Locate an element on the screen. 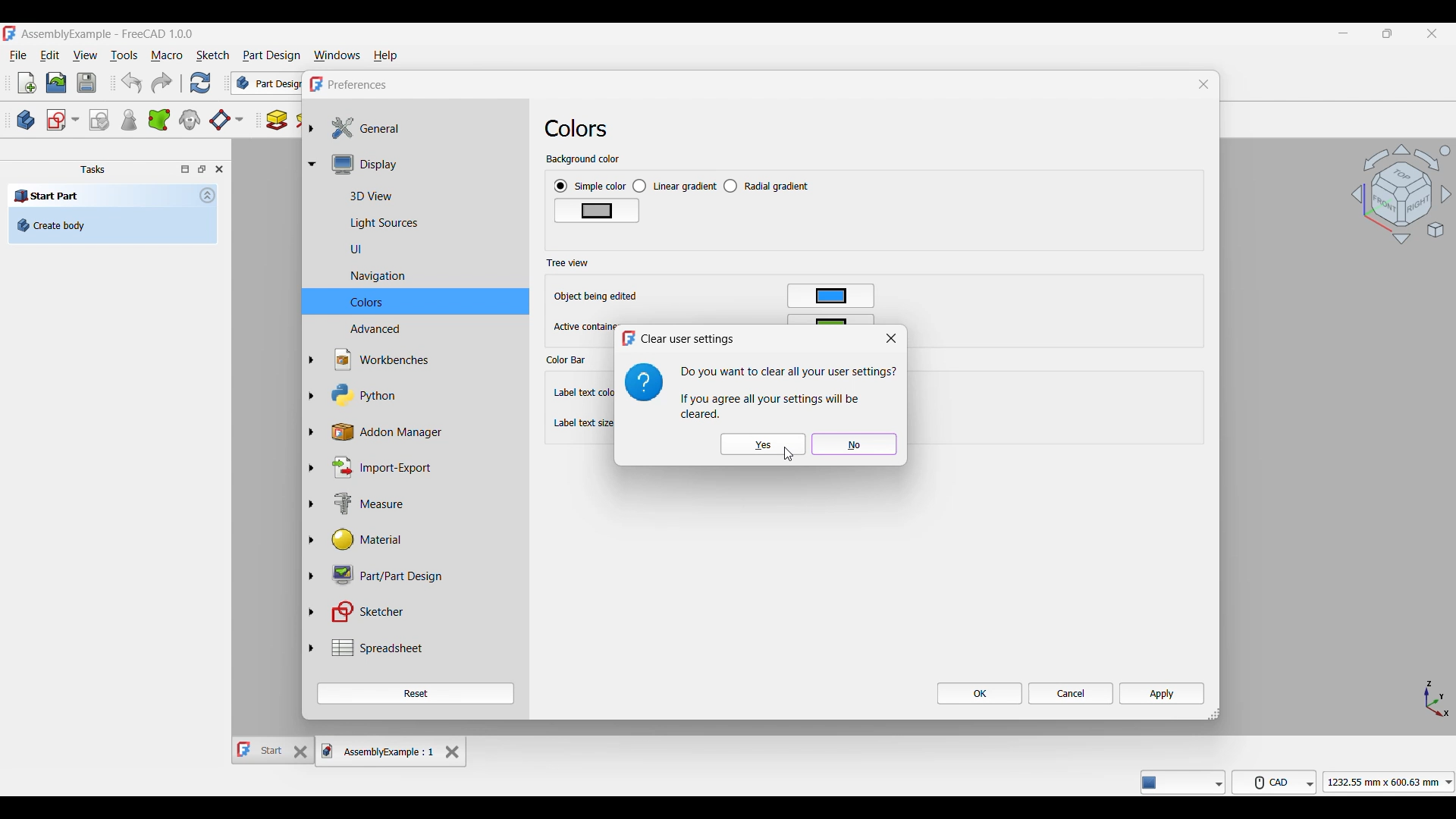  Colors, highlighted is located at coordinates (416, 301).